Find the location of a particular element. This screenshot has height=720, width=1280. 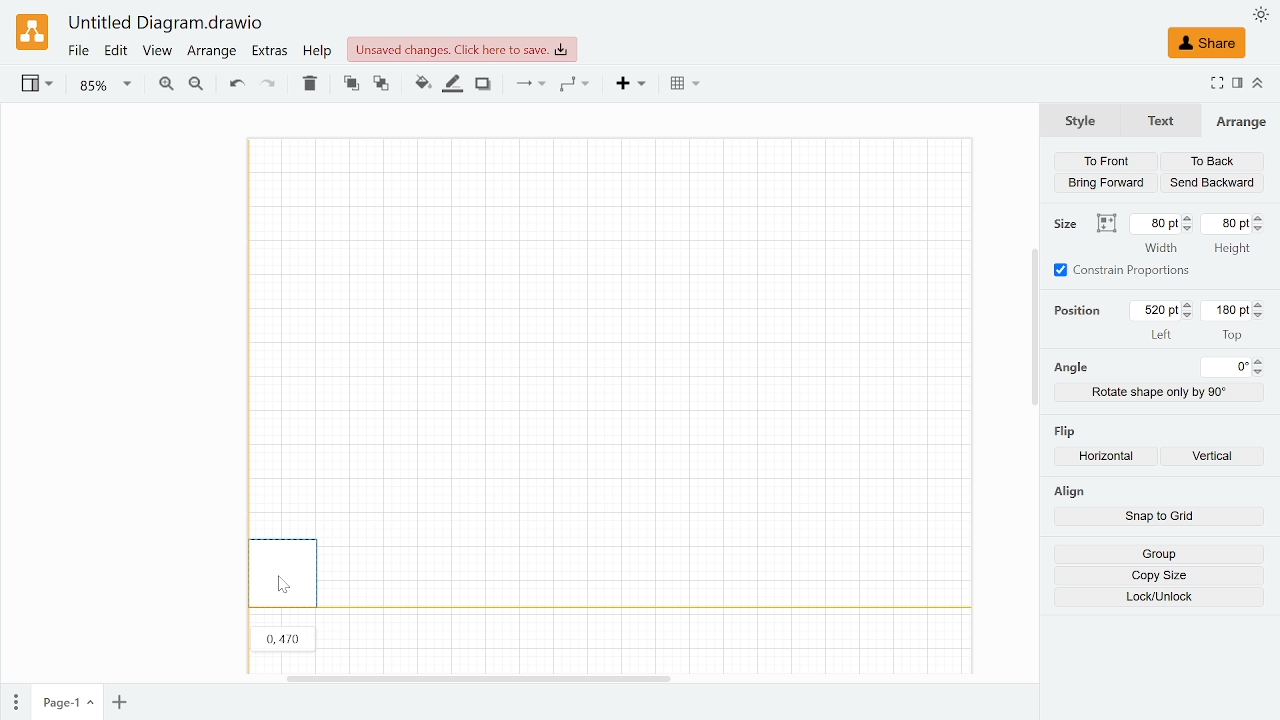

position is located at coordinates (1082, 310).